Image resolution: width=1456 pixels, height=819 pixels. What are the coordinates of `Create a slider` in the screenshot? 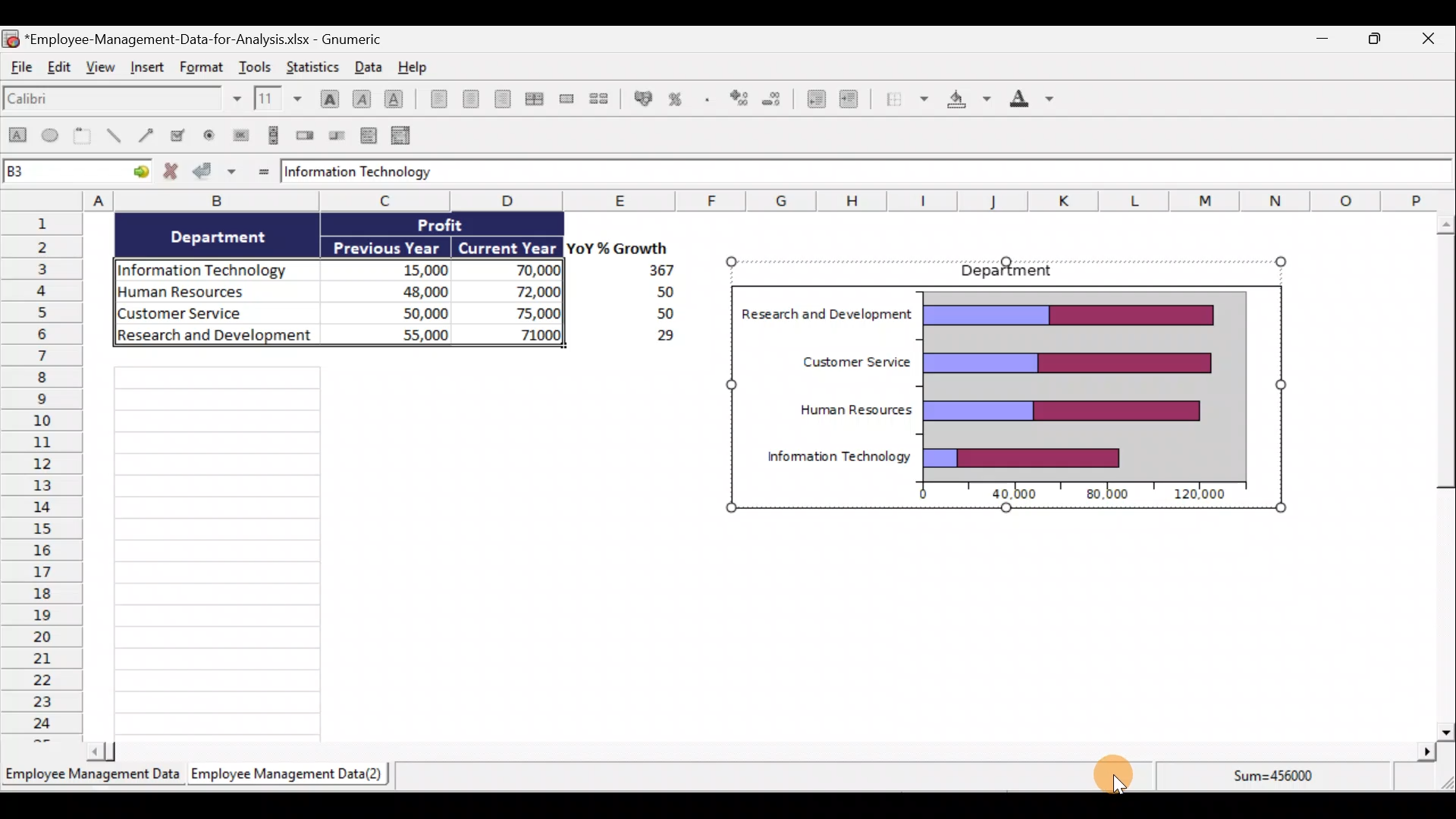 It's located at (336, 136).